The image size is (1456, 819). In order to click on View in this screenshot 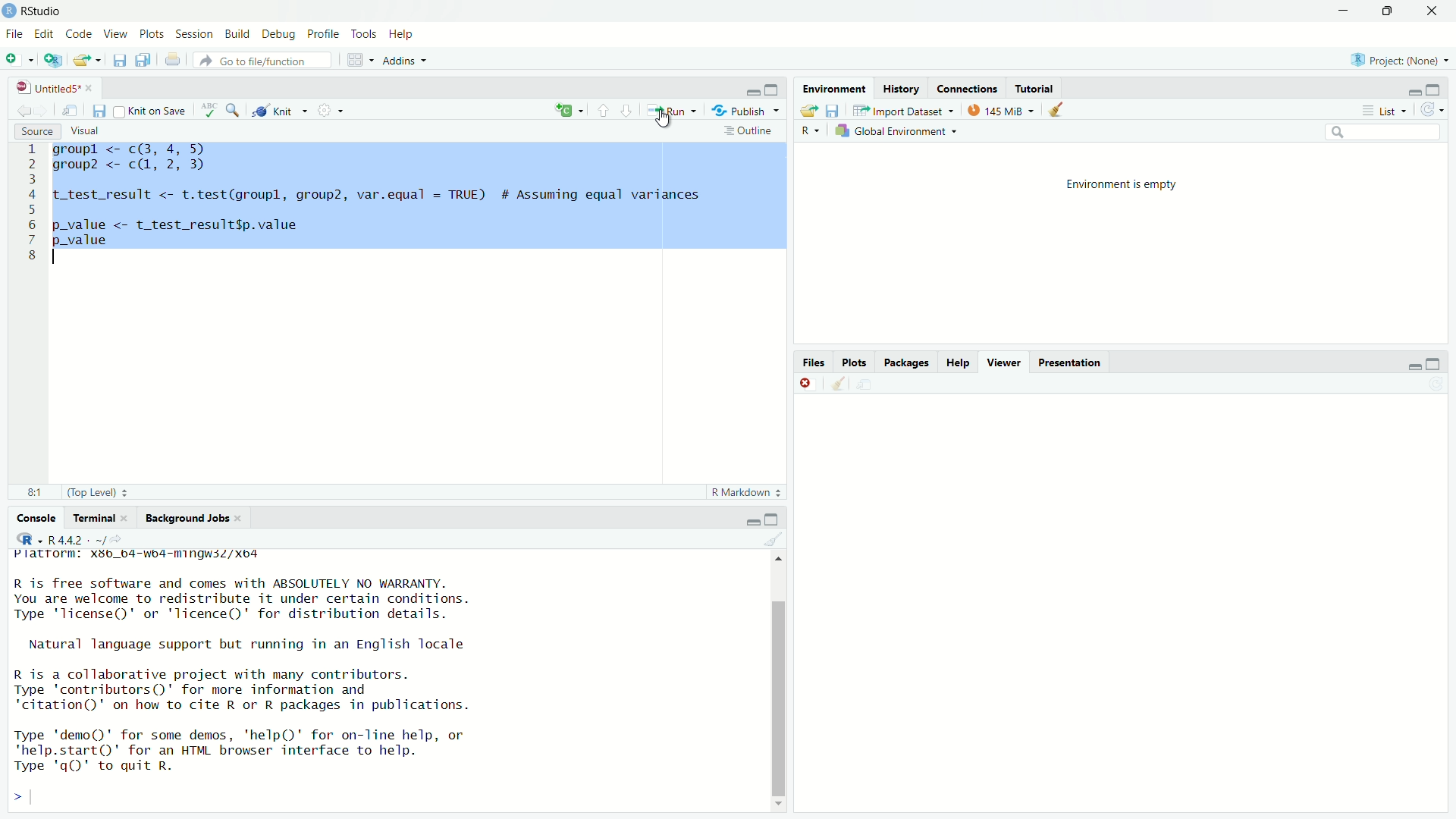, I will do `click(115, 30)`.